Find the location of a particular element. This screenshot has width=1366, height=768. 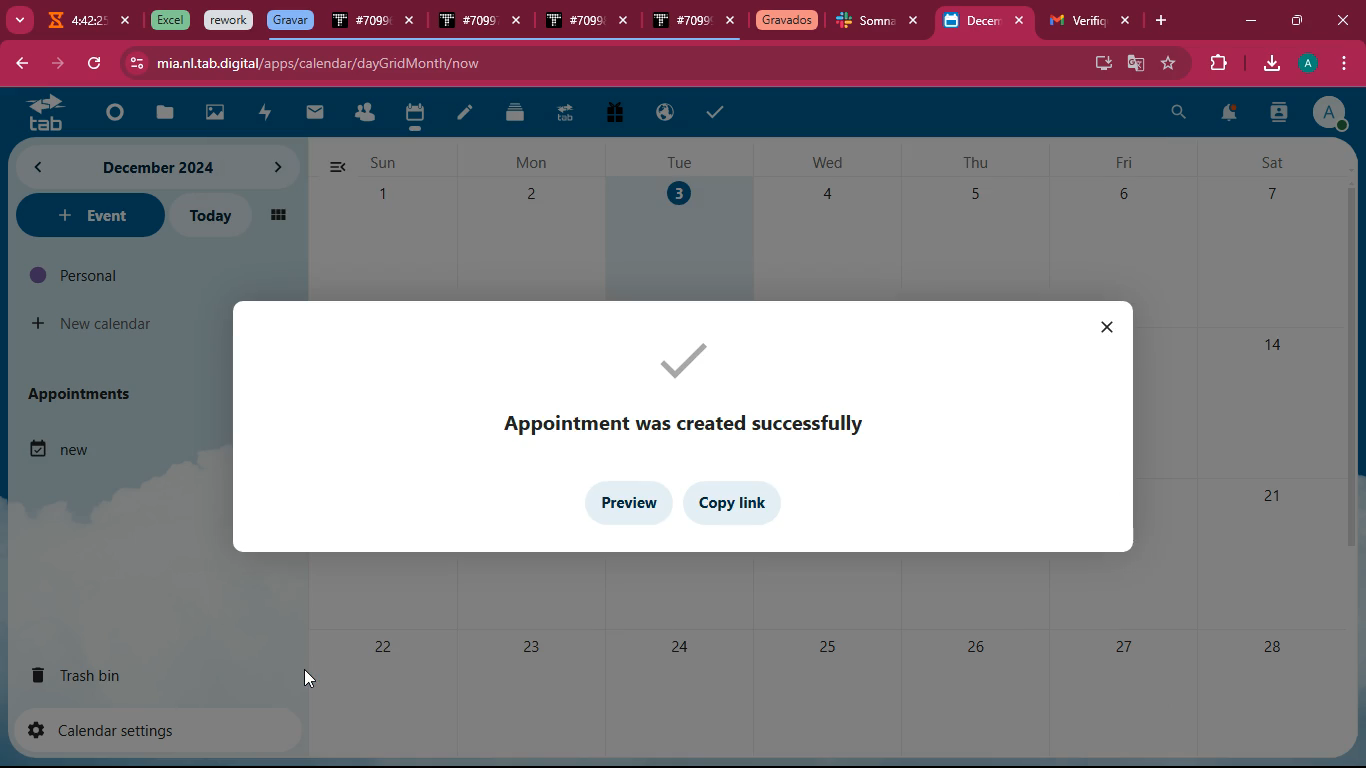

close is located at coordinates (1111, 330).